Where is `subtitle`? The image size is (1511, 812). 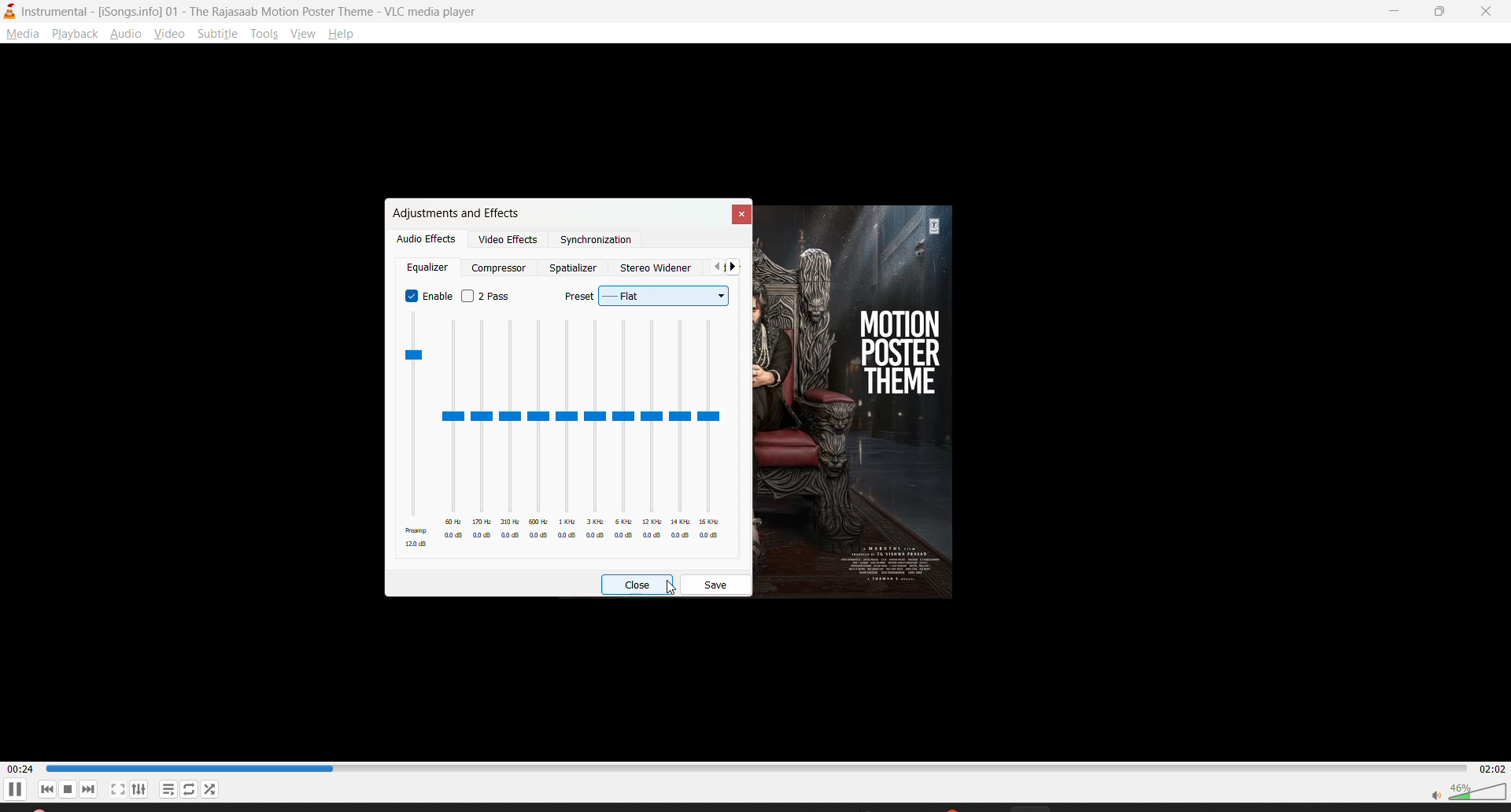 subtitle is located at coordinates (220, 37).